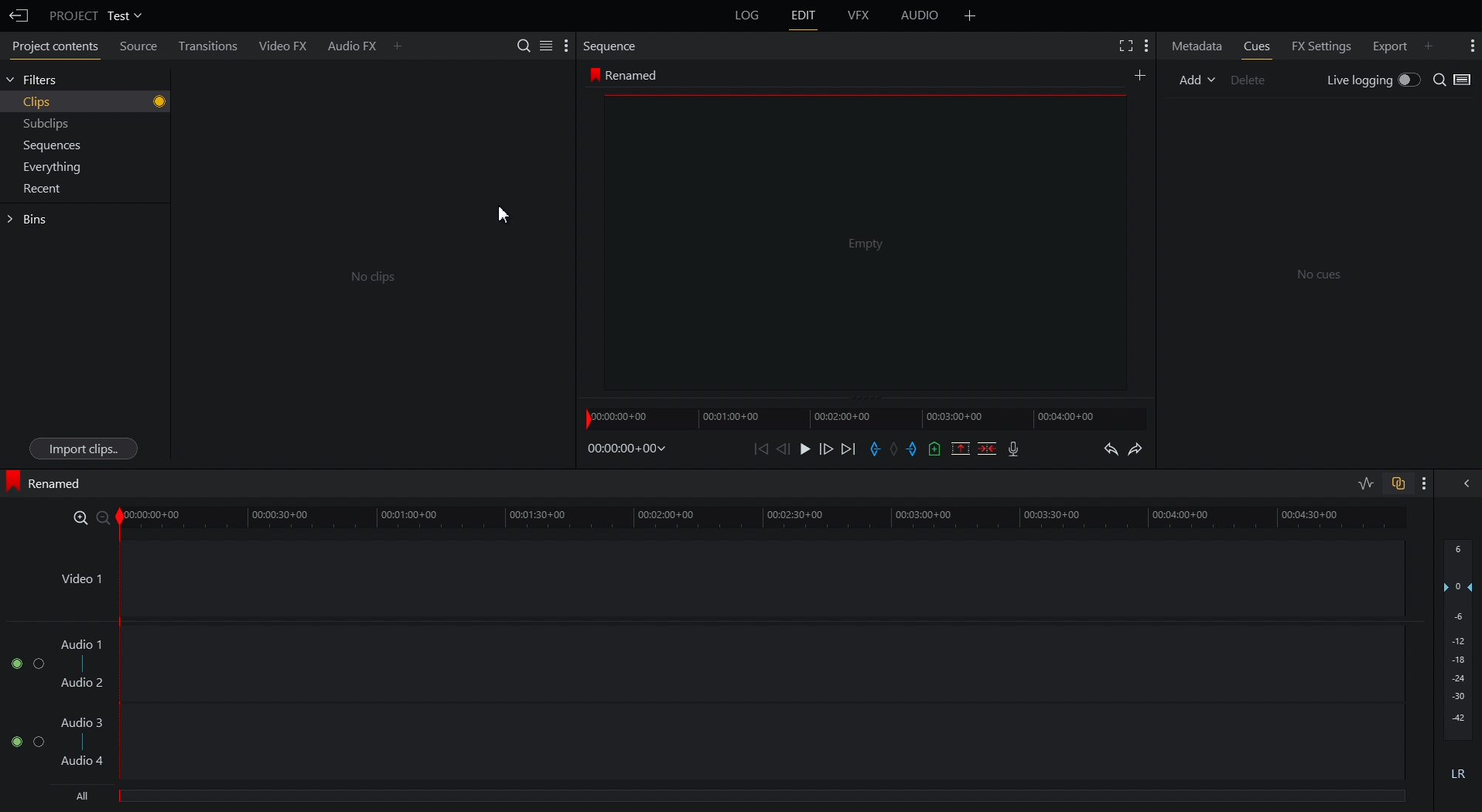 The image size is (1482, 812). Describe the element at coordinates (87, 796) in the screenshot. I see `All` at that location.